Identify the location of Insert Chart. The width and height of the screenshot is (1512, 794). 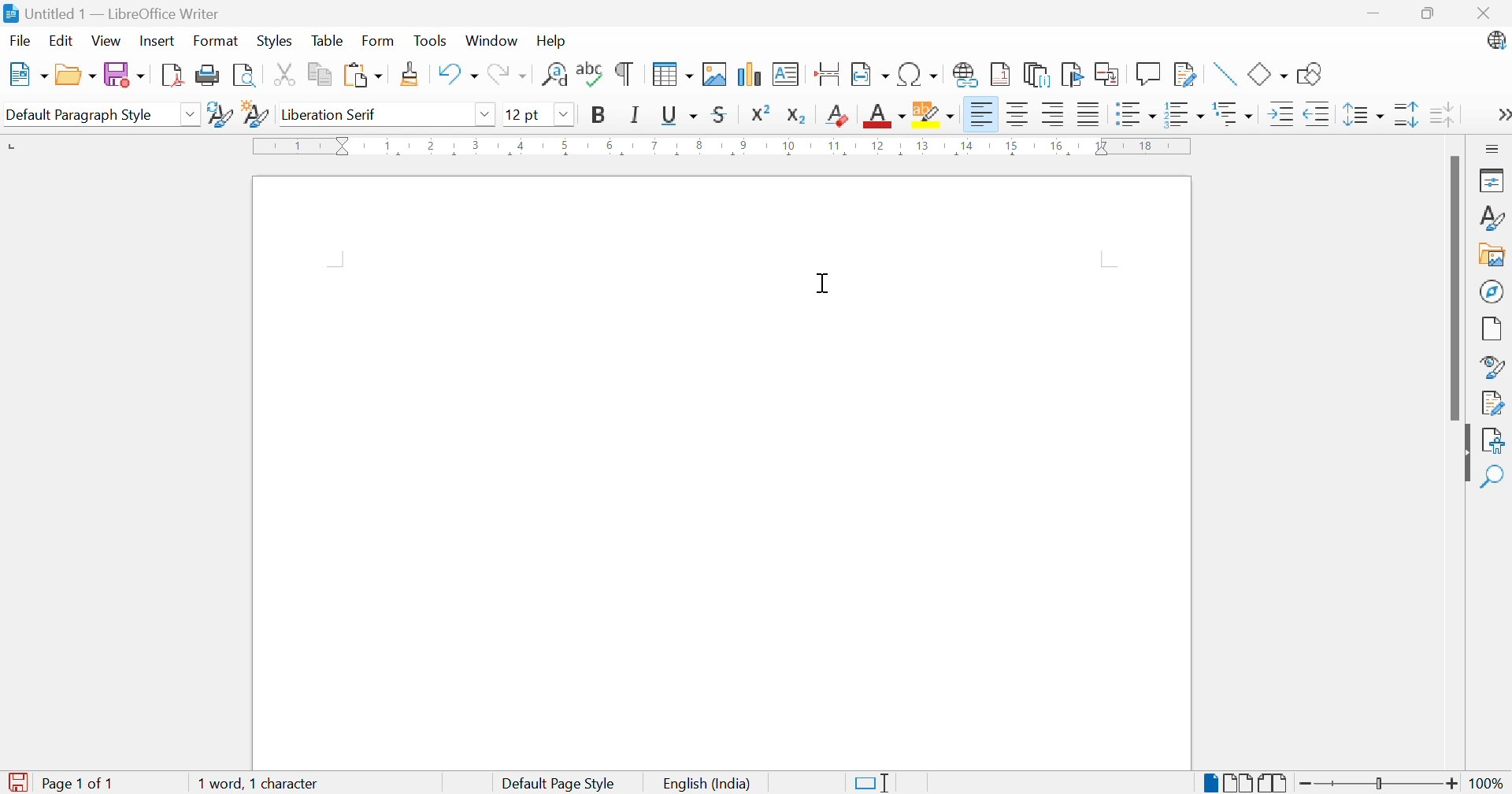
(749, 74).